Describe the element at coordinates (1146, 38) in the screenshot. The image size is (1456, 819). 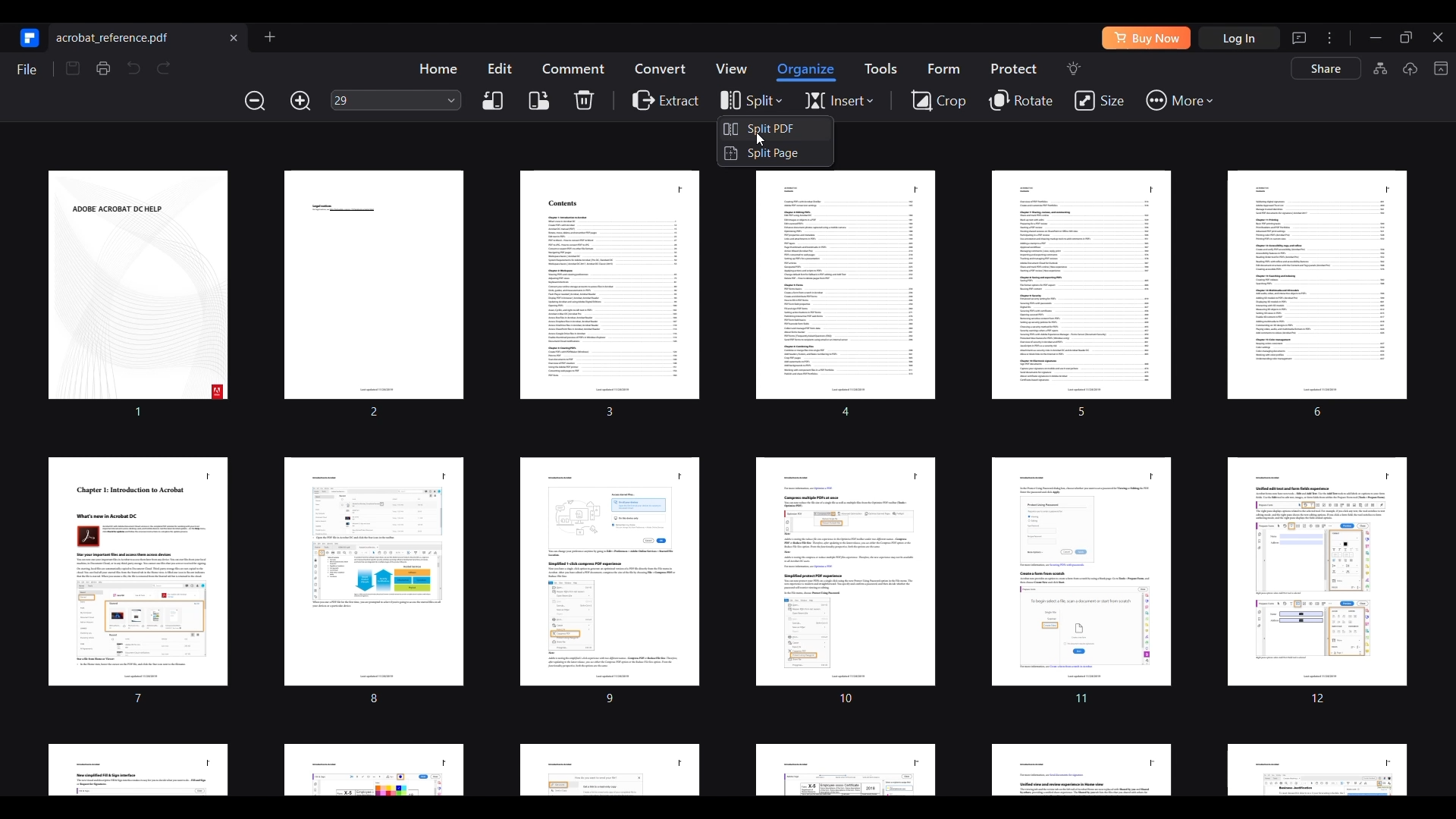
I see `Buy software` at that location.